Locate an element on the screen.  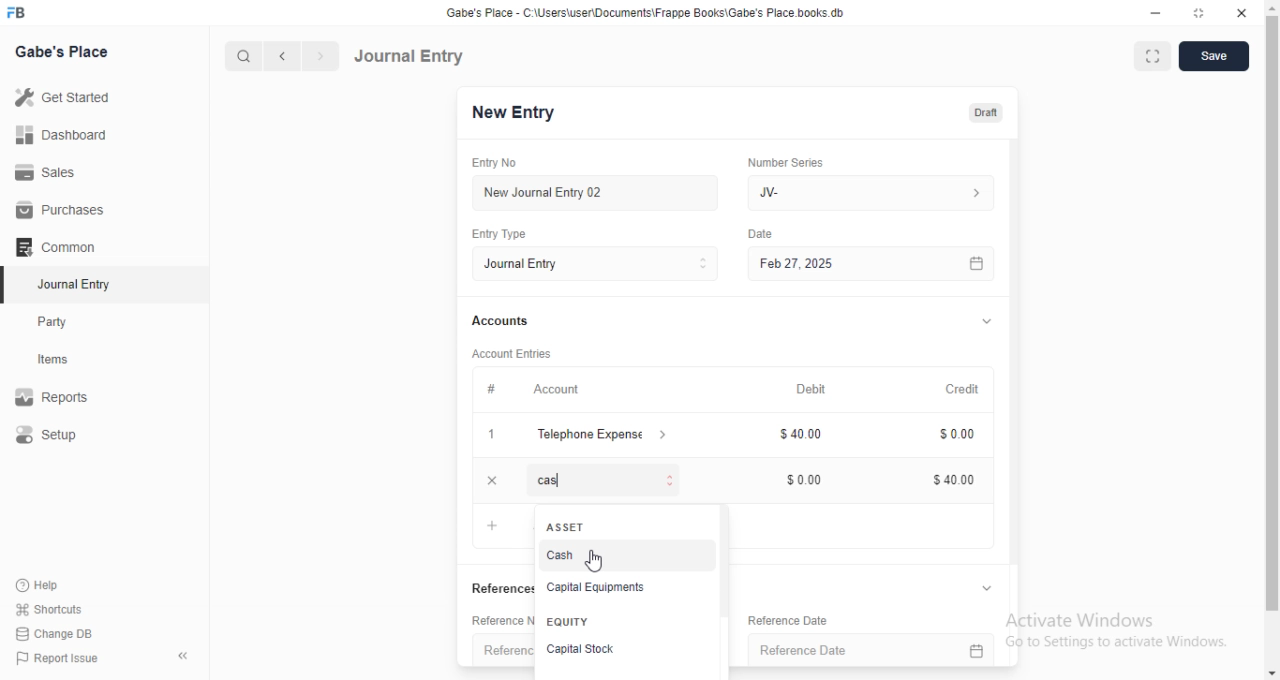
| Report Issue is located at coordinates (59, 658).